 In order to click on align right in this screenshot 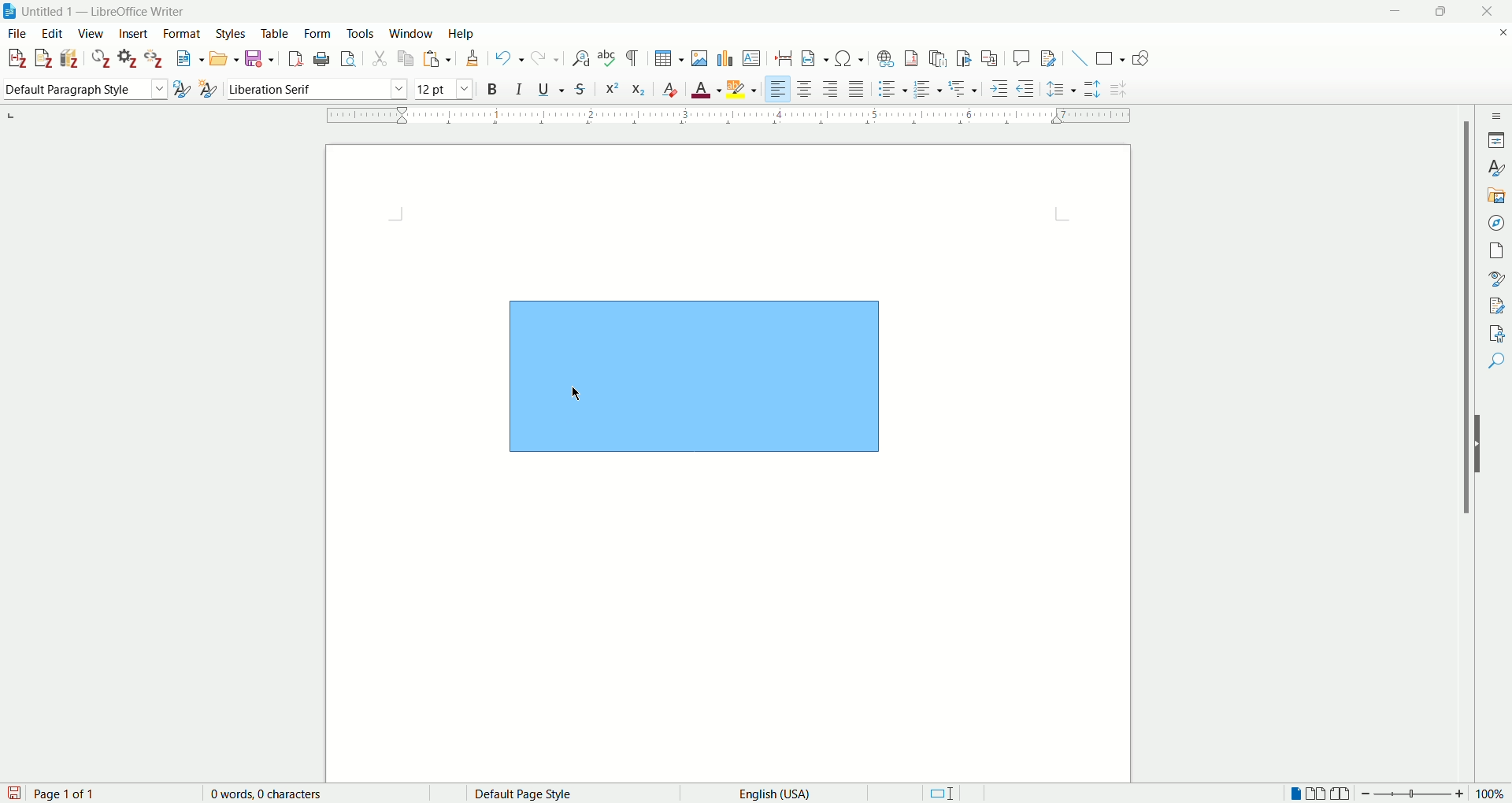, I will do `click(778, 88)`.